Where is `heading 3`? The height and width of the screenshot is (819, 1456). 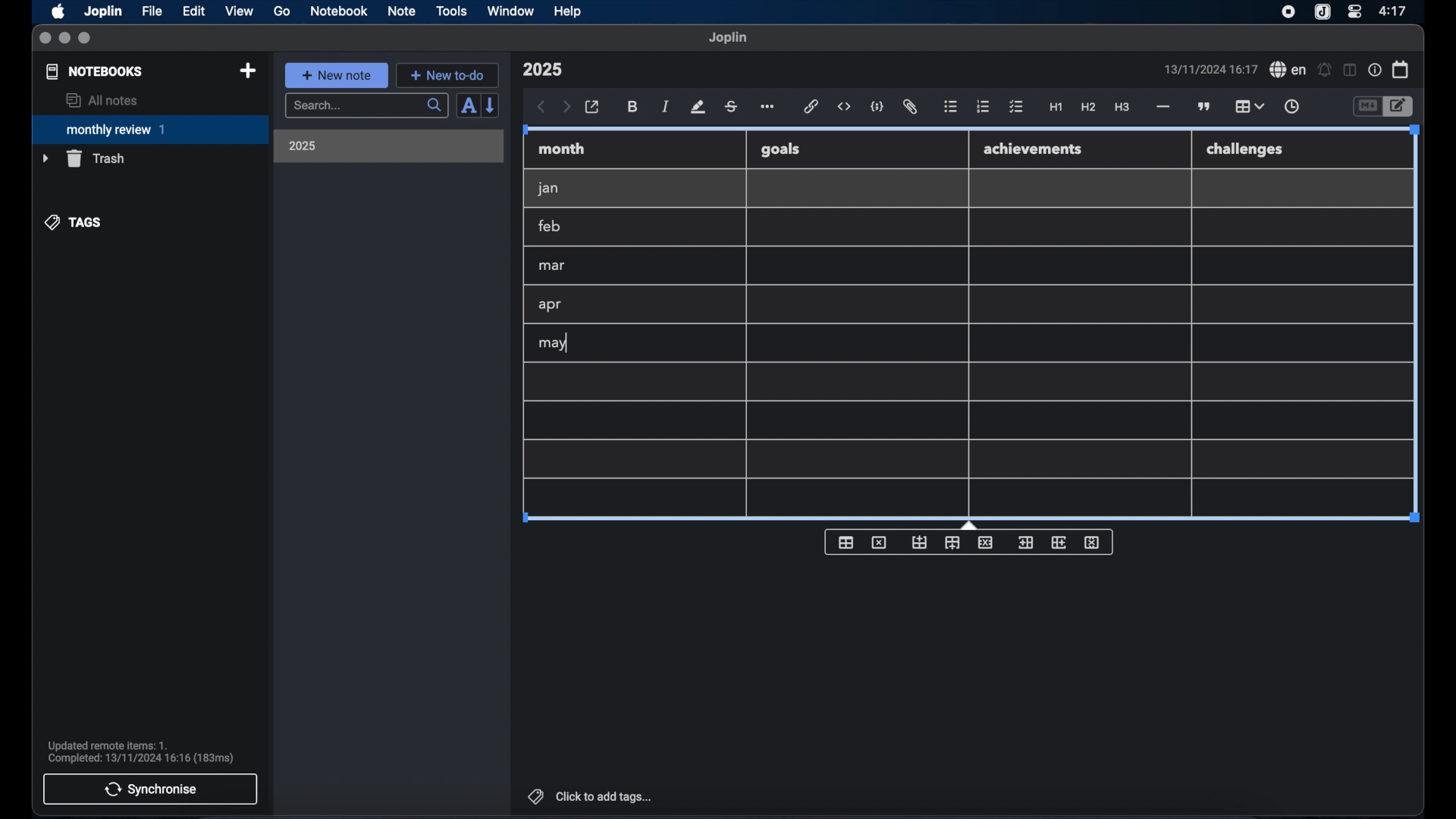
heading 3 is located at coordinates (1122, 108).